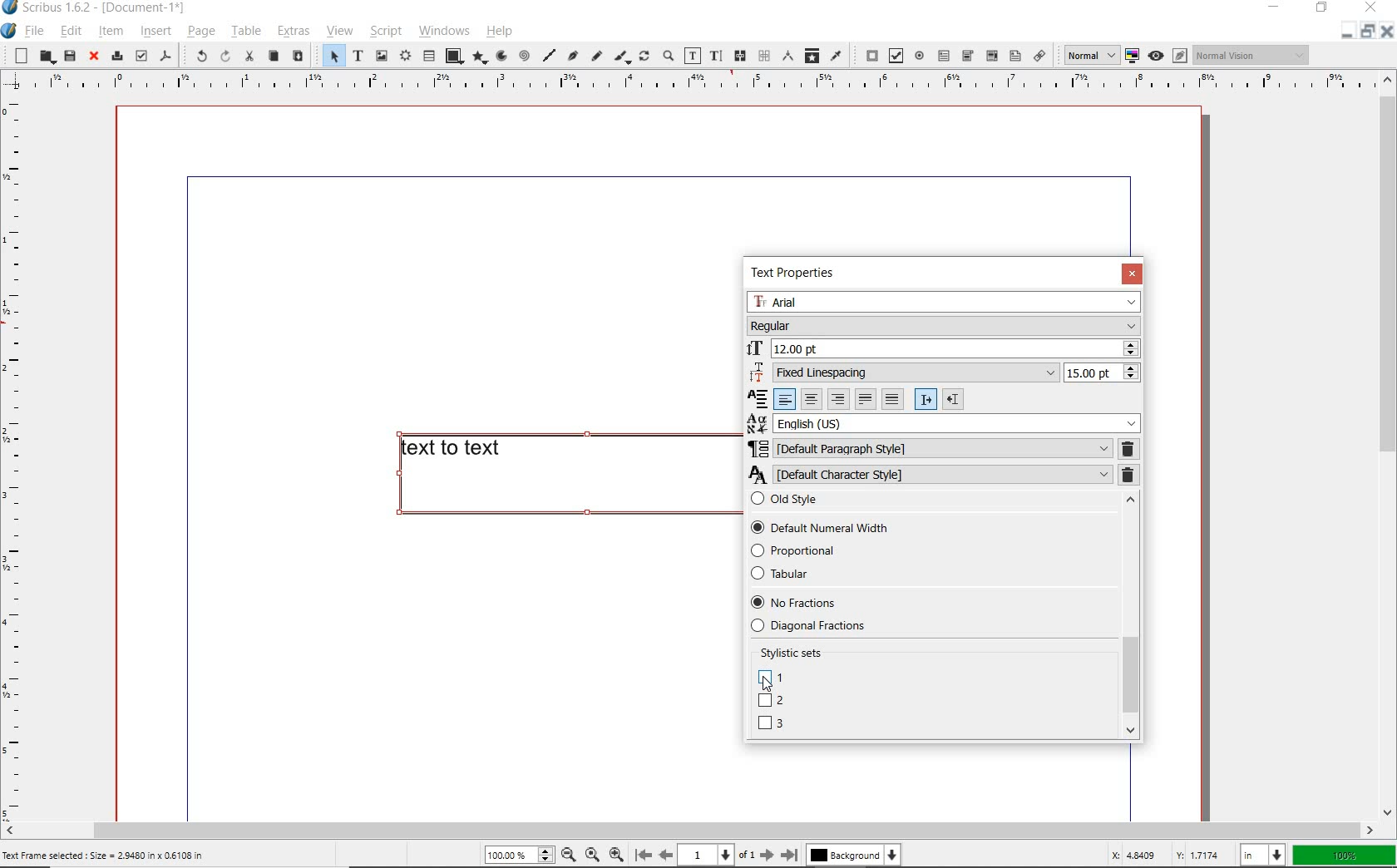 The image size is (1397, 868). Describe the element at coordinates (453, 57) in the screenshot. I see `shape` at that location.